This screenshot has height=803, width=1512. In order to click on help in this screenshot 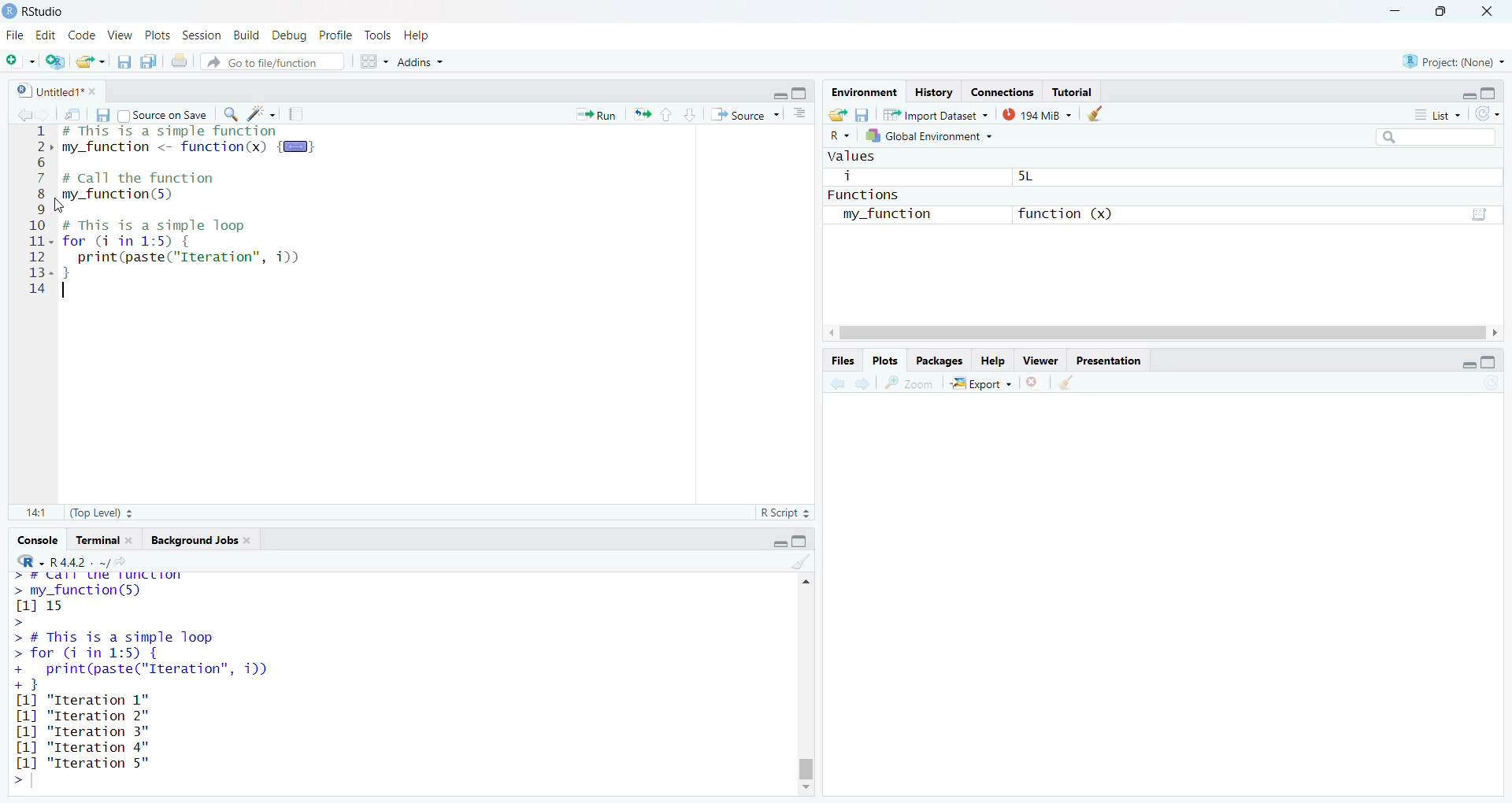, I will do `click(992, 360)`.